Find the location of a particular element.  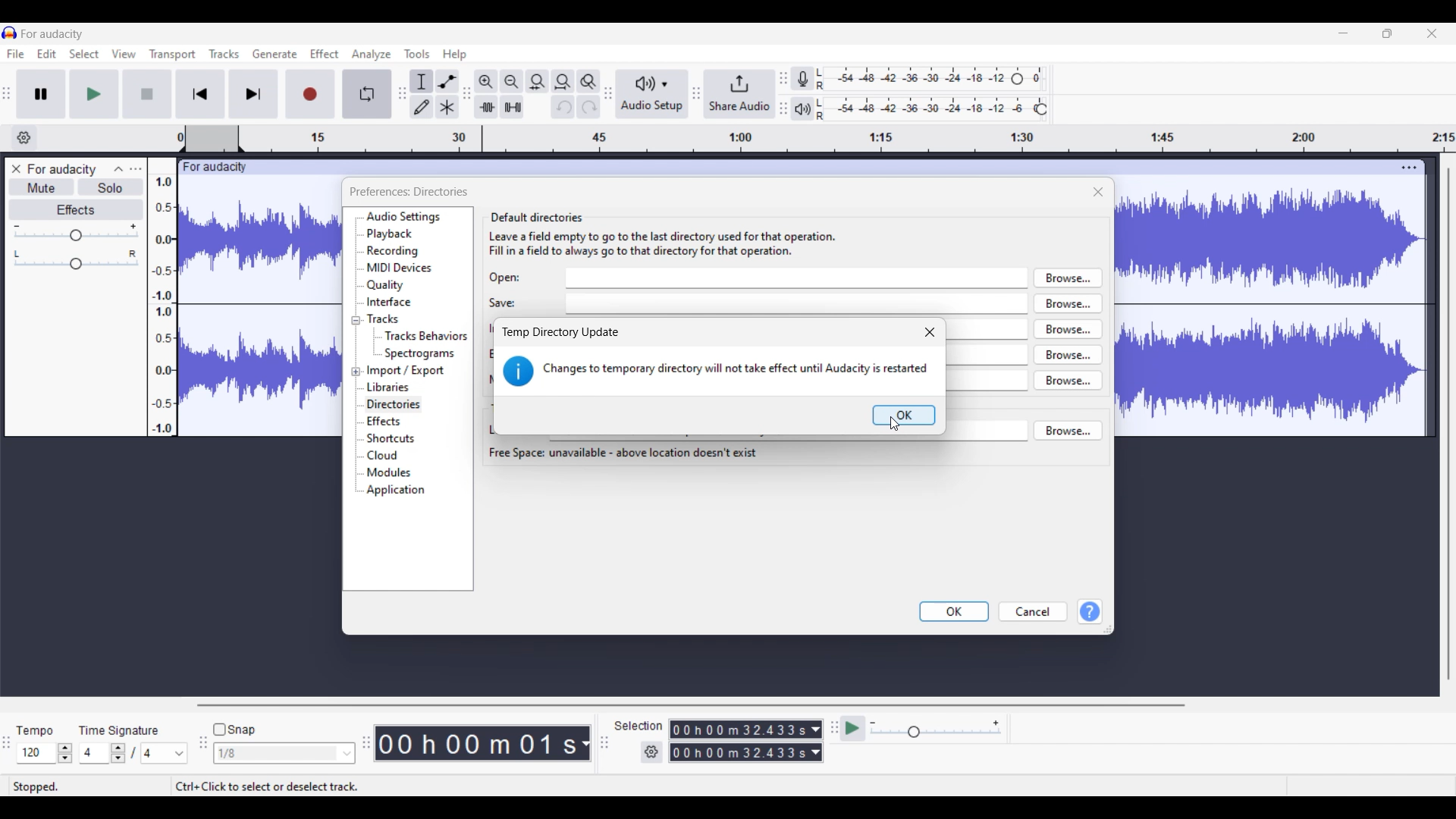

Track settings  is located at coordinates (1410, 168).